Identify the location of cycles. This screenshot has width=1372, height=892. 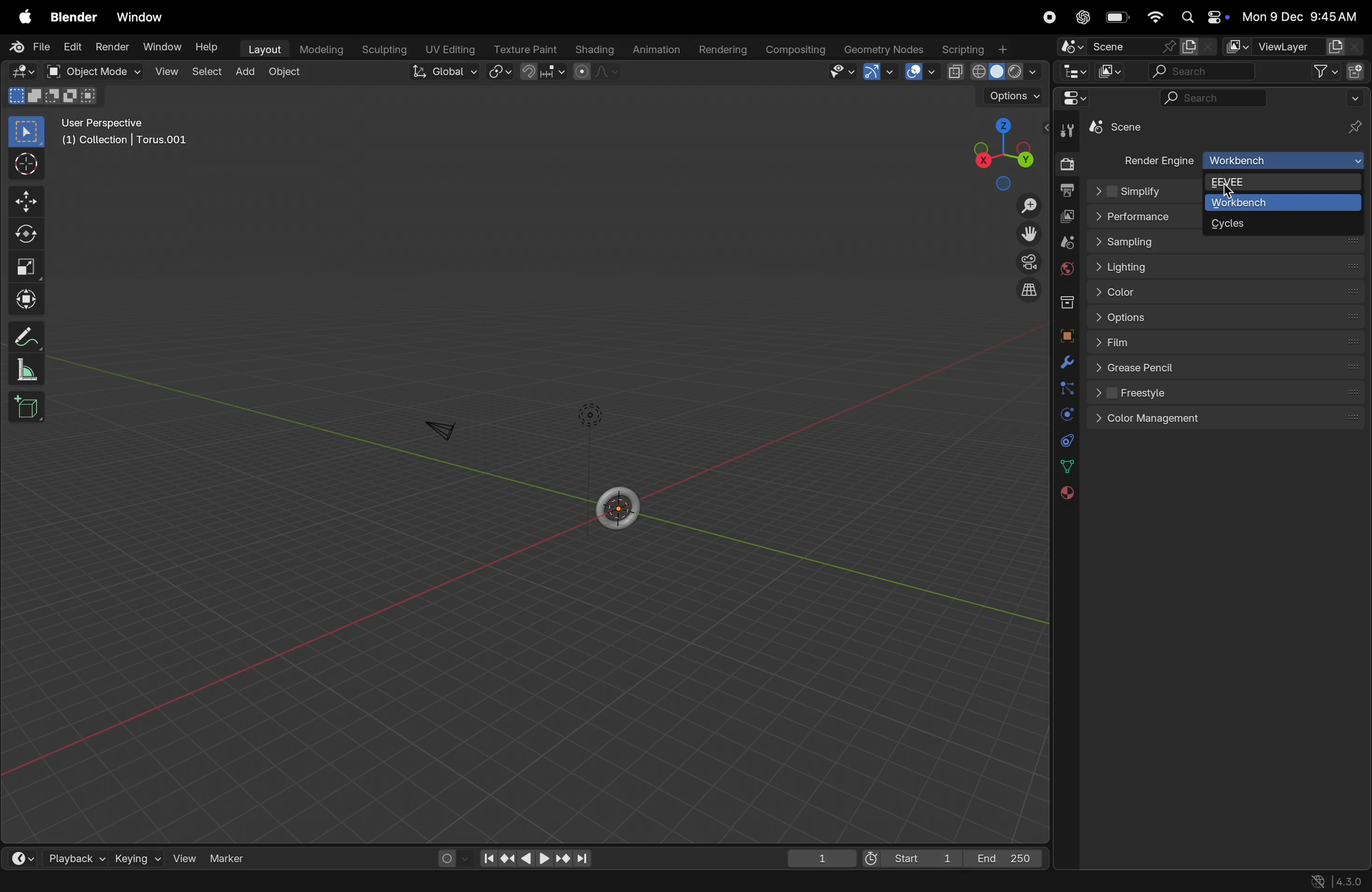
(1281, 224).